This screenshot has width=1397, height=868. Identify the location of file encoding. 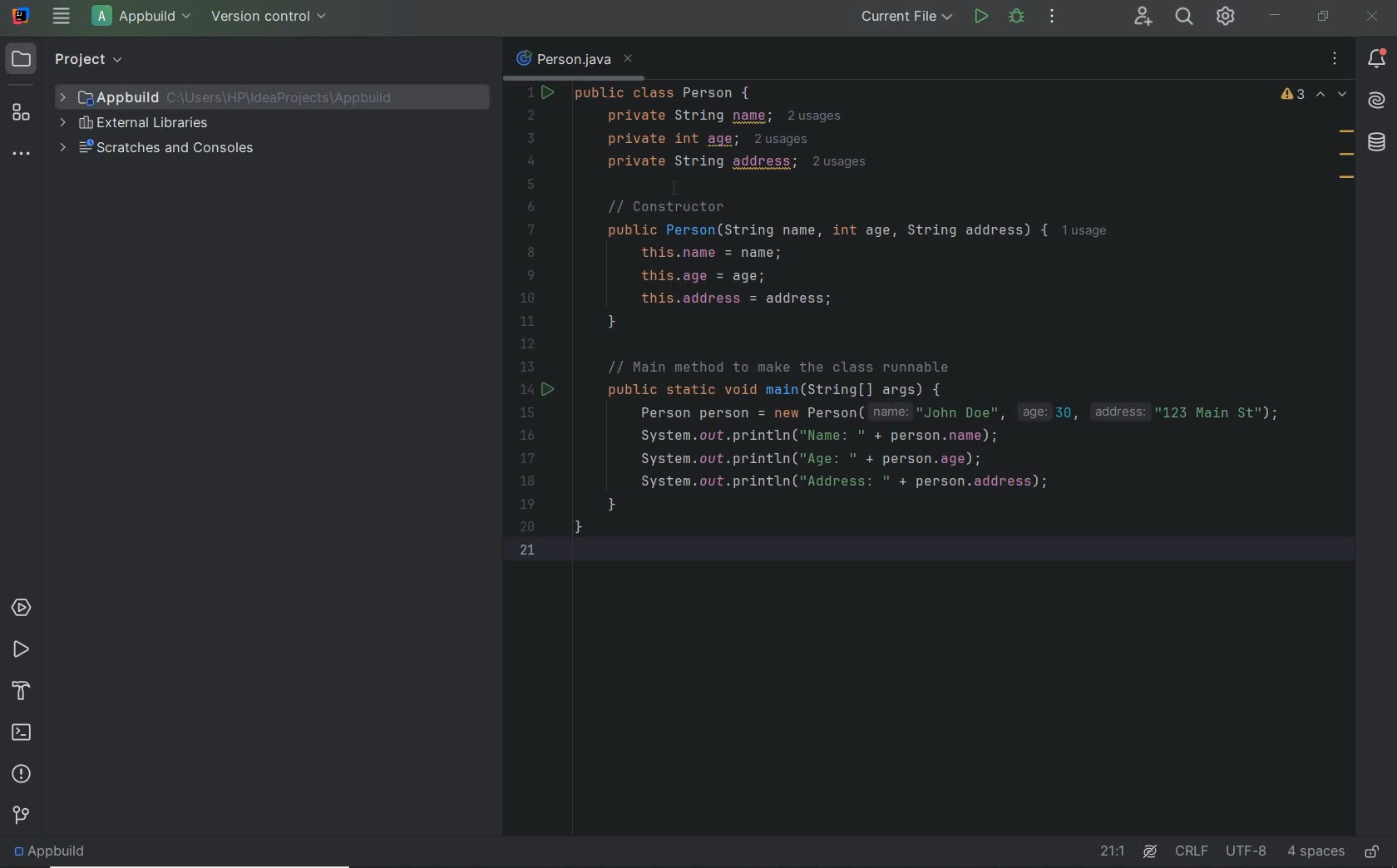
(1247, 851).